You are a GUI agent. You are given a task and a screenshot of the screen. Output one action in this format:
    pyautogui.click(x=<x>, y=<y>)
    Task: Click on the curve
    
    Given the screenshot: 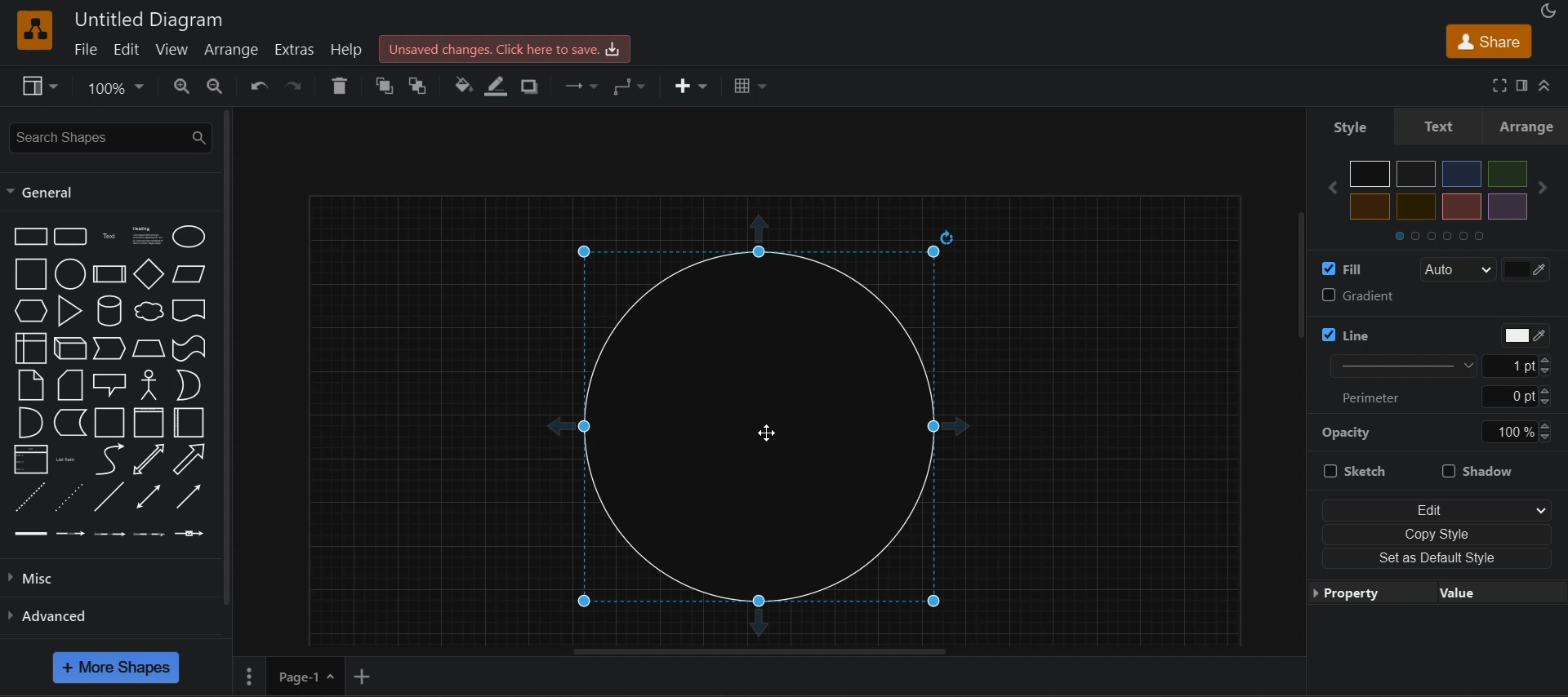 What is the action you would take?
    pyautogui.click(x=108, y=460)
    